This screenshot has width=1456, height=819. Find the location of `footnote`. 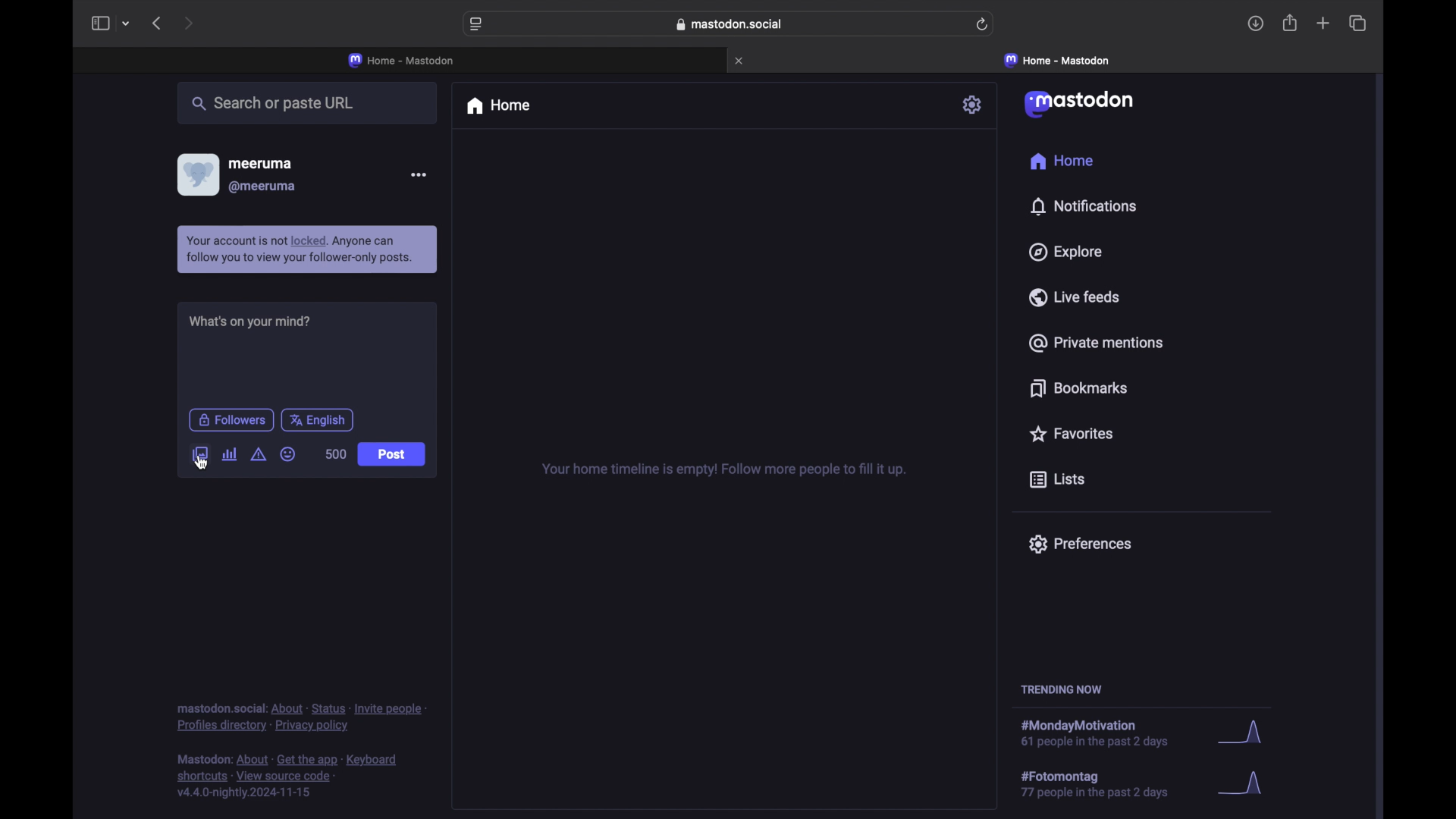

footnote is located at coordinates (287, 777).